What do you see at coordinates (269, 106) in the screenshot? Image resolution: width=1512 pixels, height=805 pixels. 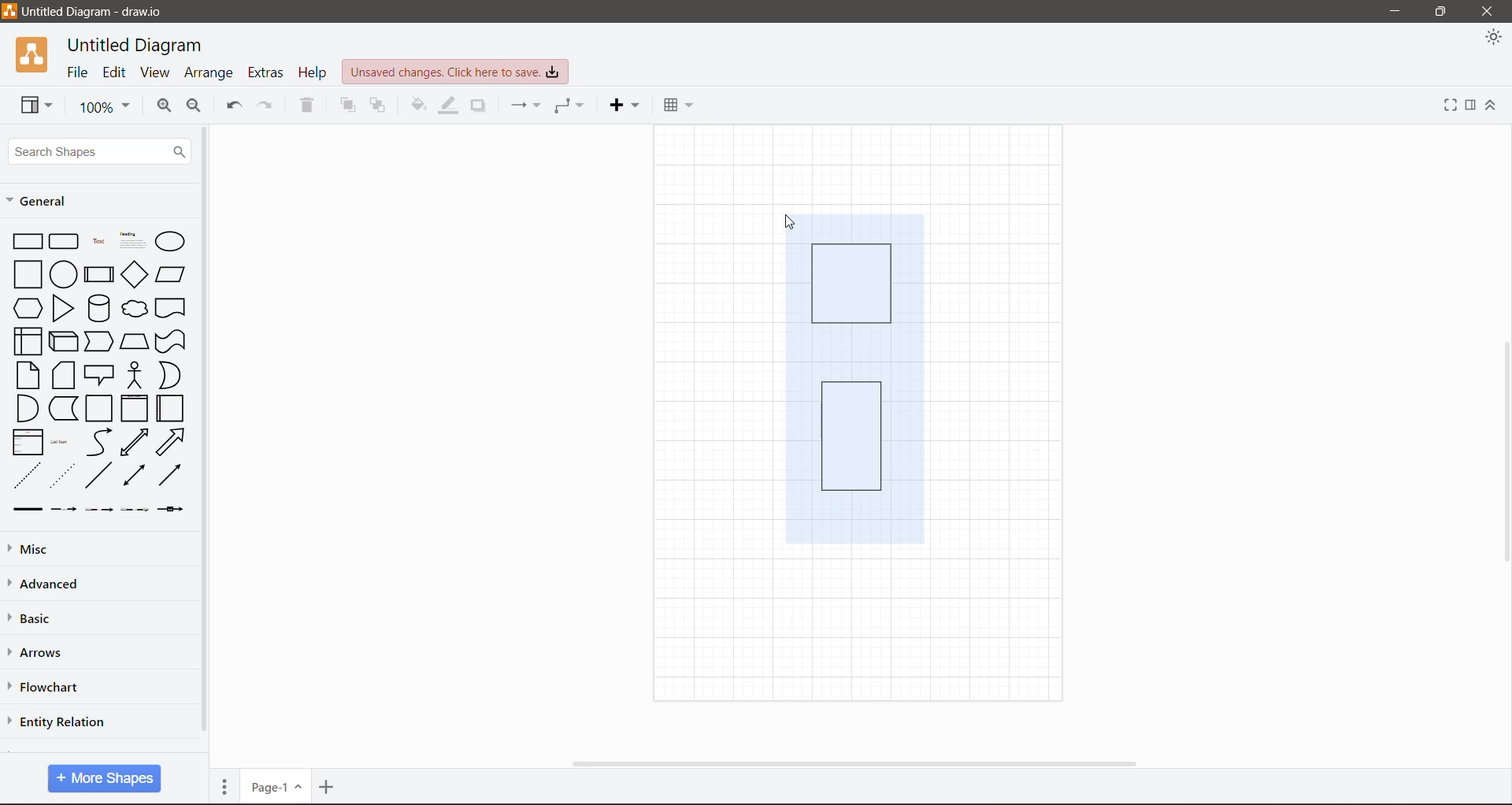 I see `Redo` at bounding box center [269, 106].